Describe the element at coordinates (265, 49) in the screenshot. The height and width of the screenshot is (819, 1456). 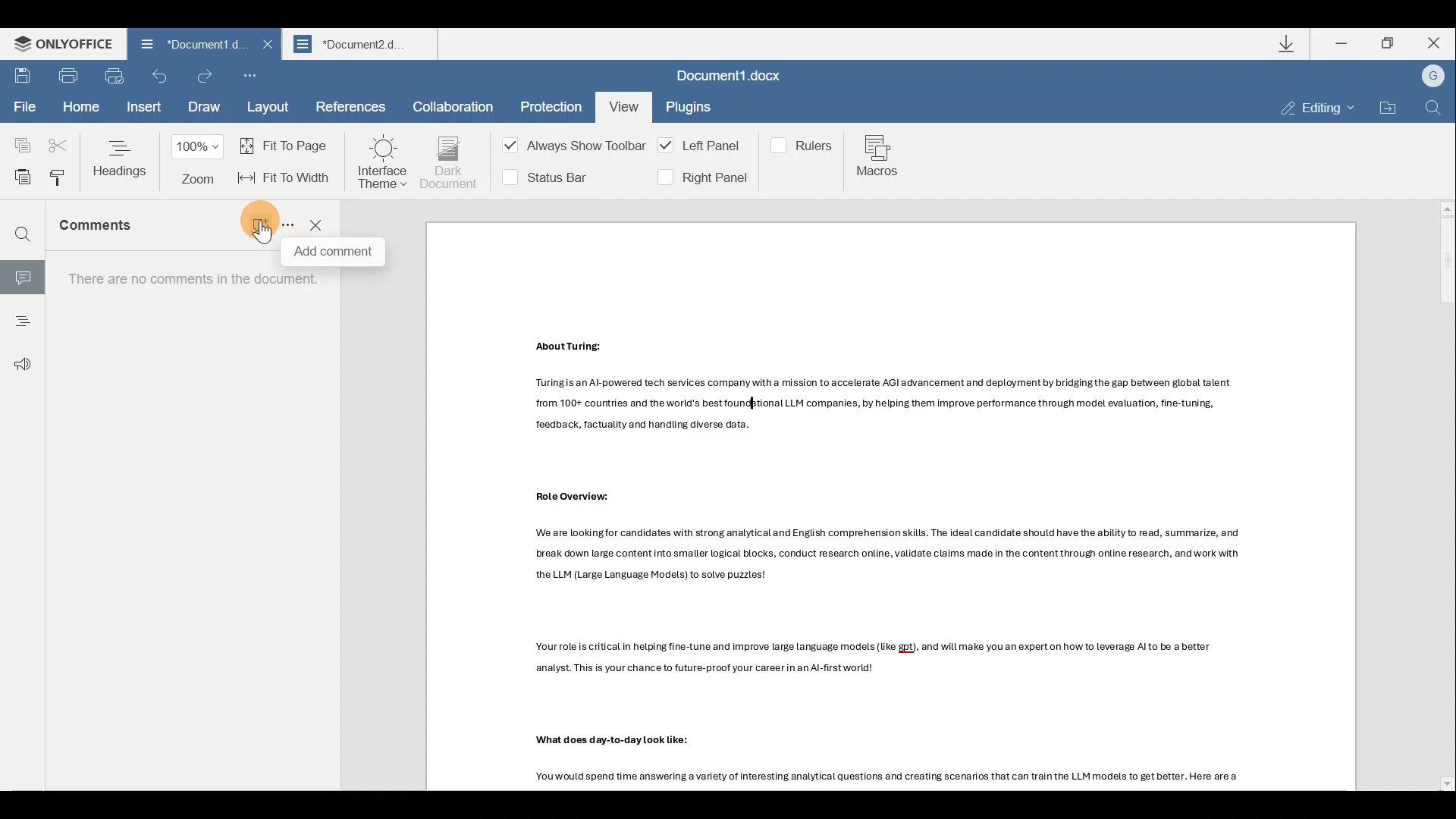
I see `Close` at that location.